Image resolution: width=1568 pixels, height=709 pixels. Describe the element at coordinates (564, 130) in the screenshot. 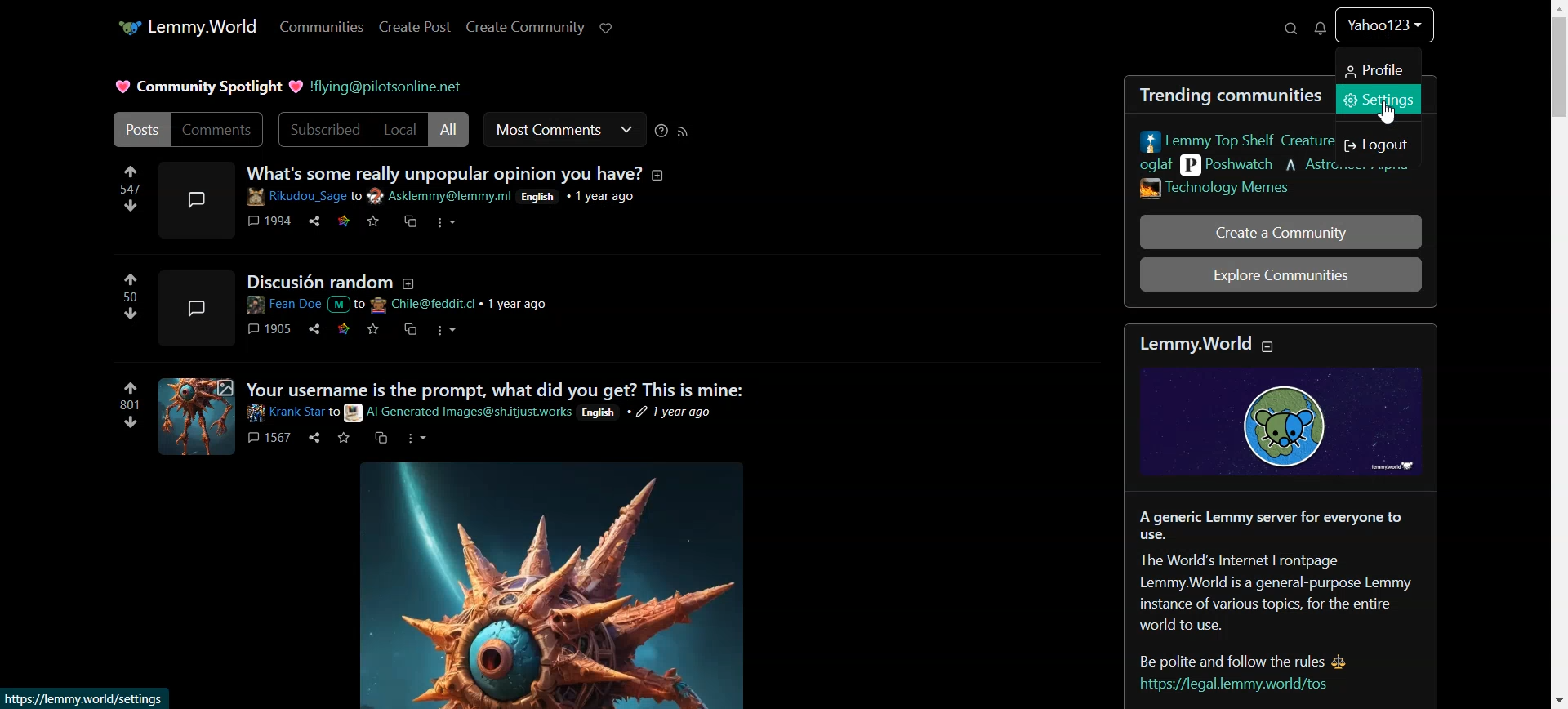

I see `Most Comments` at that location.